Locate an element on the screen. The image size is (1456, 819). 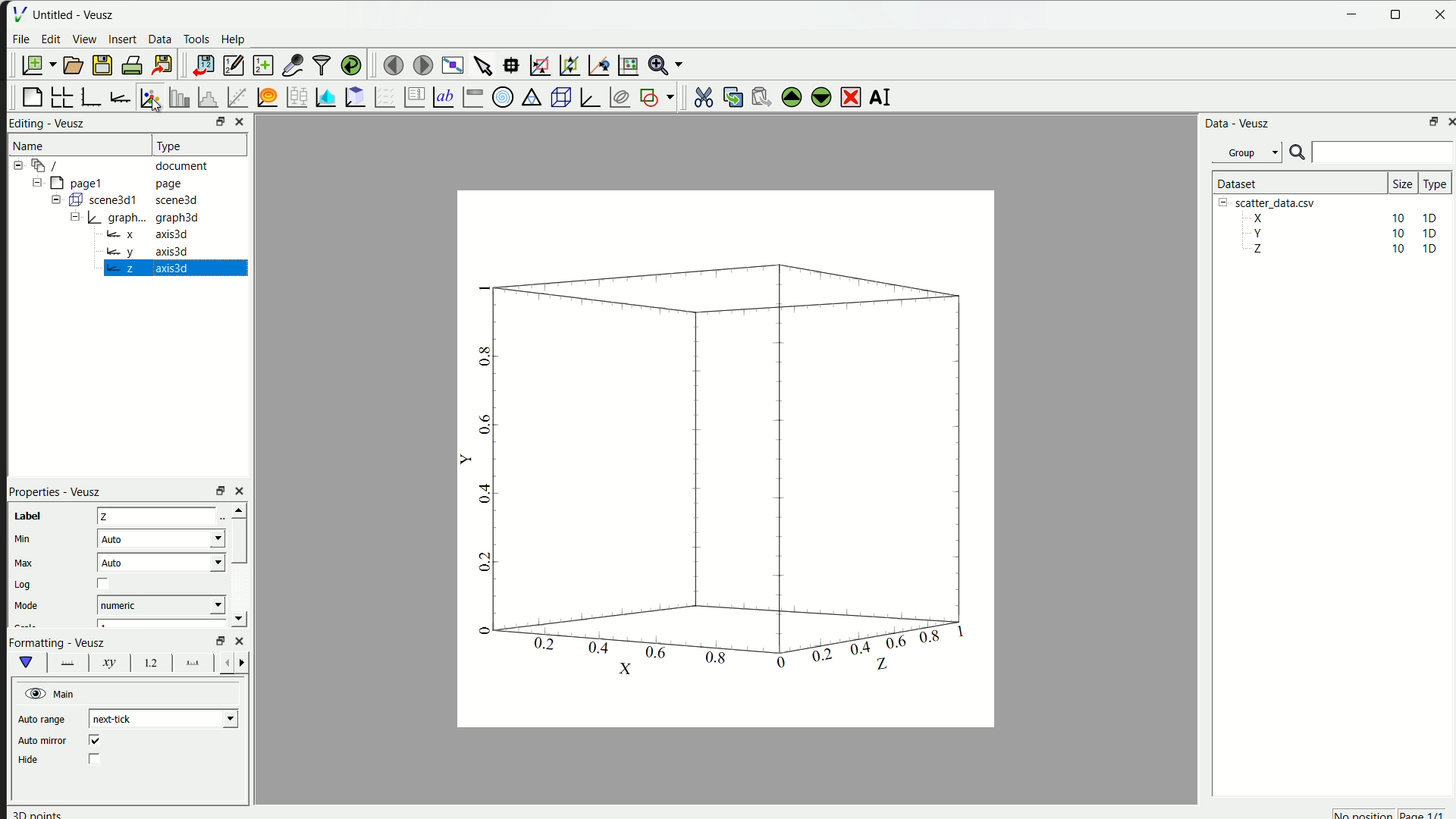
| Auto mirror is located at coordinates (40, 742).